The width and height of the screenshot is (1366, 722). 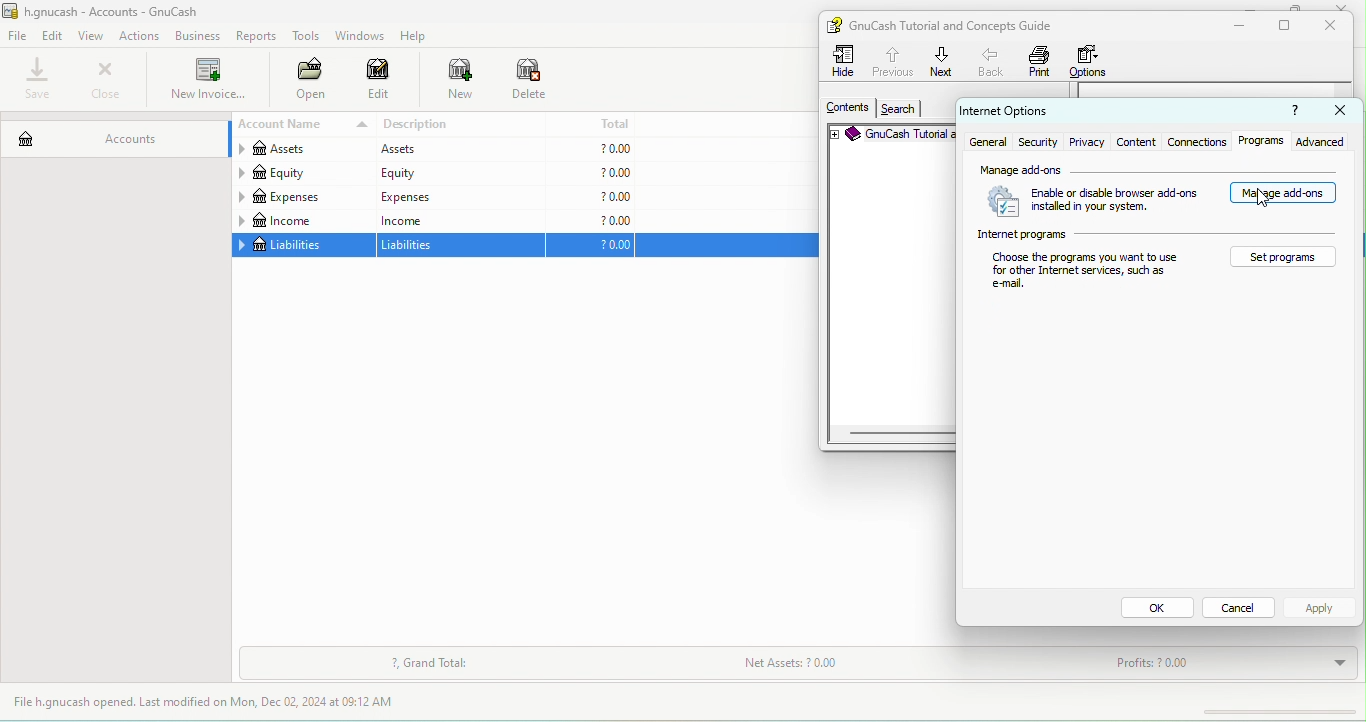 I want to click on general, so click(x=987, y=142).